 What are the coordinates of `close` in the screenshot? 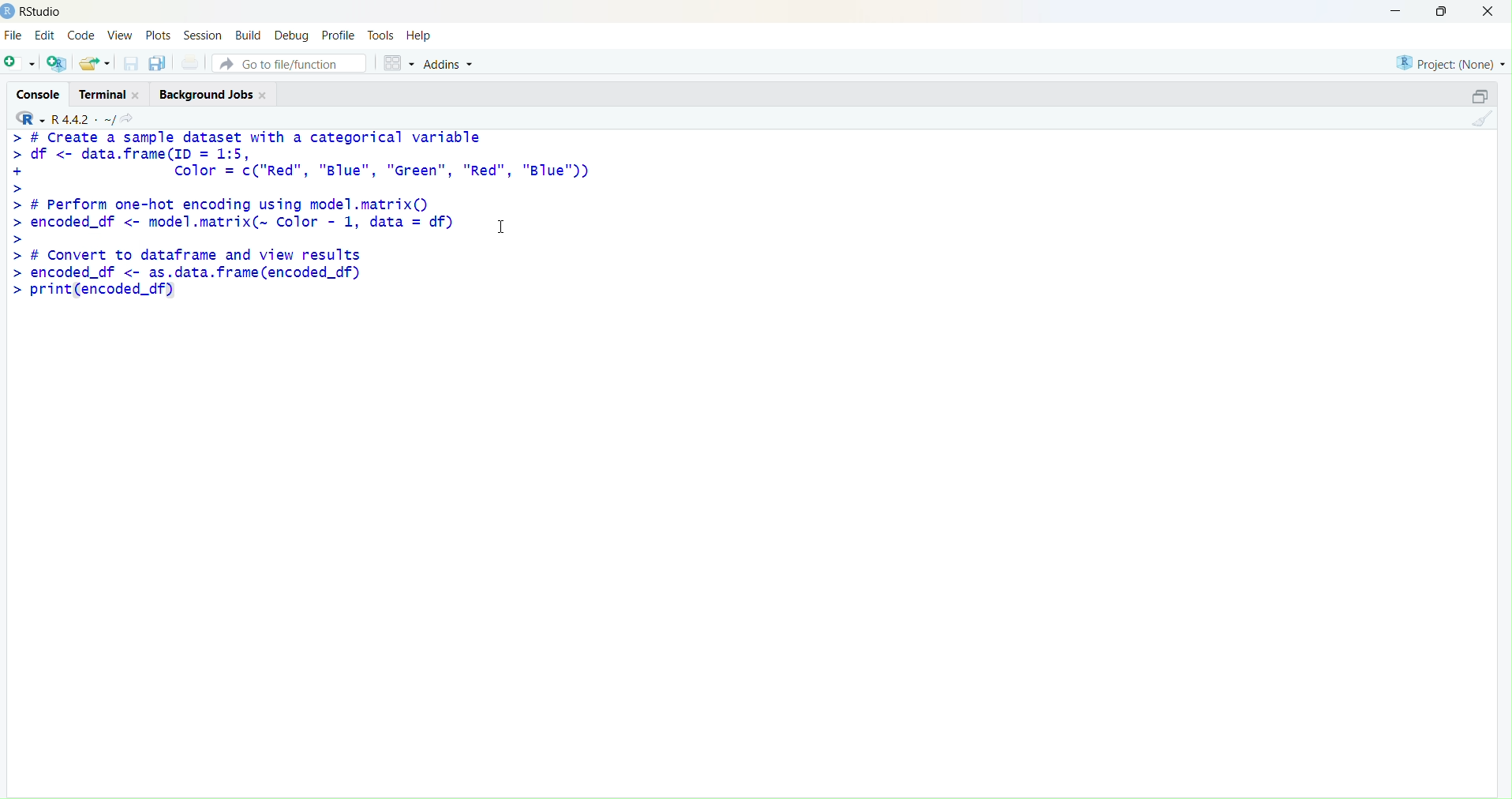 It's located at (264, 96).